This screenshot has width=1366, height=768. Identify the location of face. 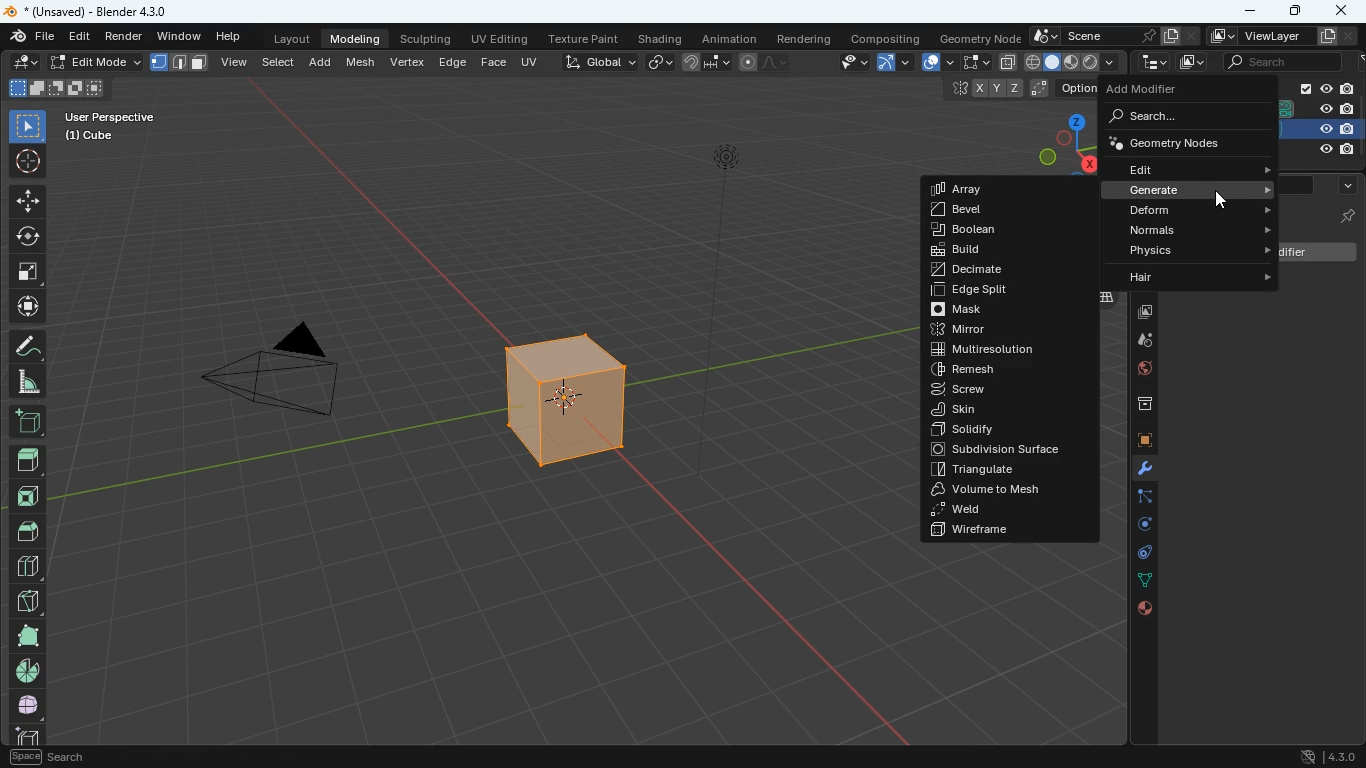
(493, 63).